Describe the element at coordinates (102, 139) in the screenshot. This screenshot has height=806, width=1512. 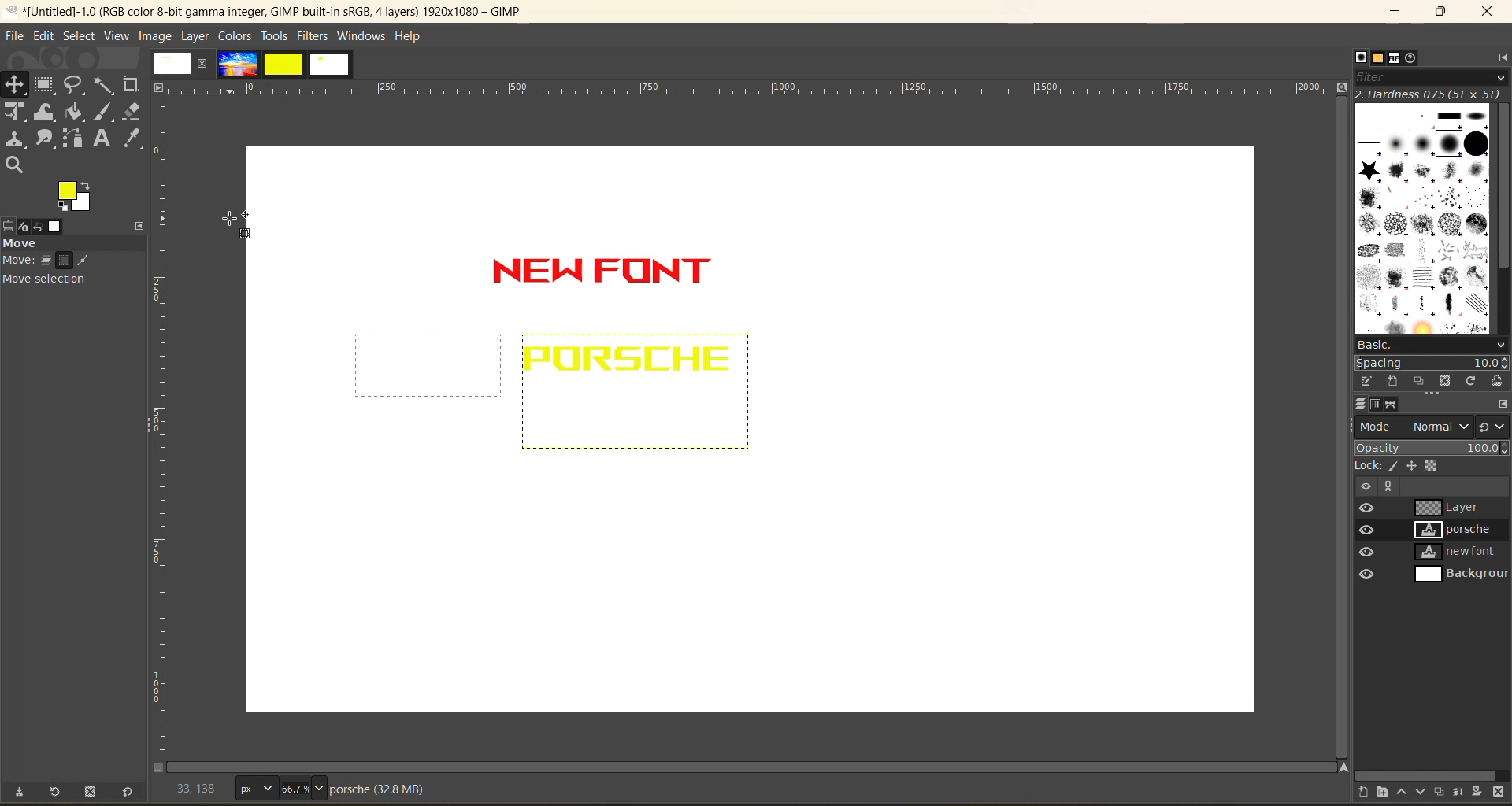
I see `text` at that location.